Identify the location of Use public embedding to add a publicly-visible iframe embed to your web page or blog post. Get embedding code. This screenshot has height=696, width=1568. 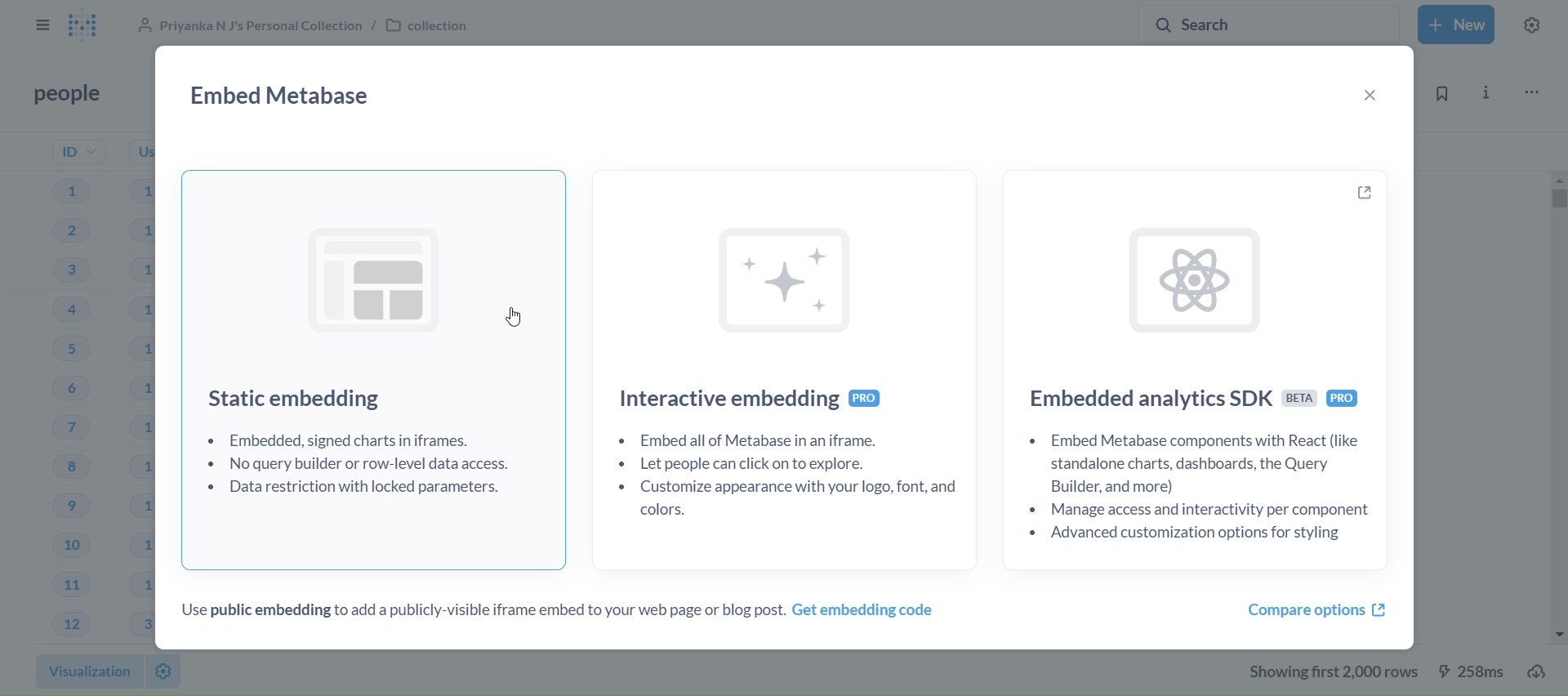
(559, 612).